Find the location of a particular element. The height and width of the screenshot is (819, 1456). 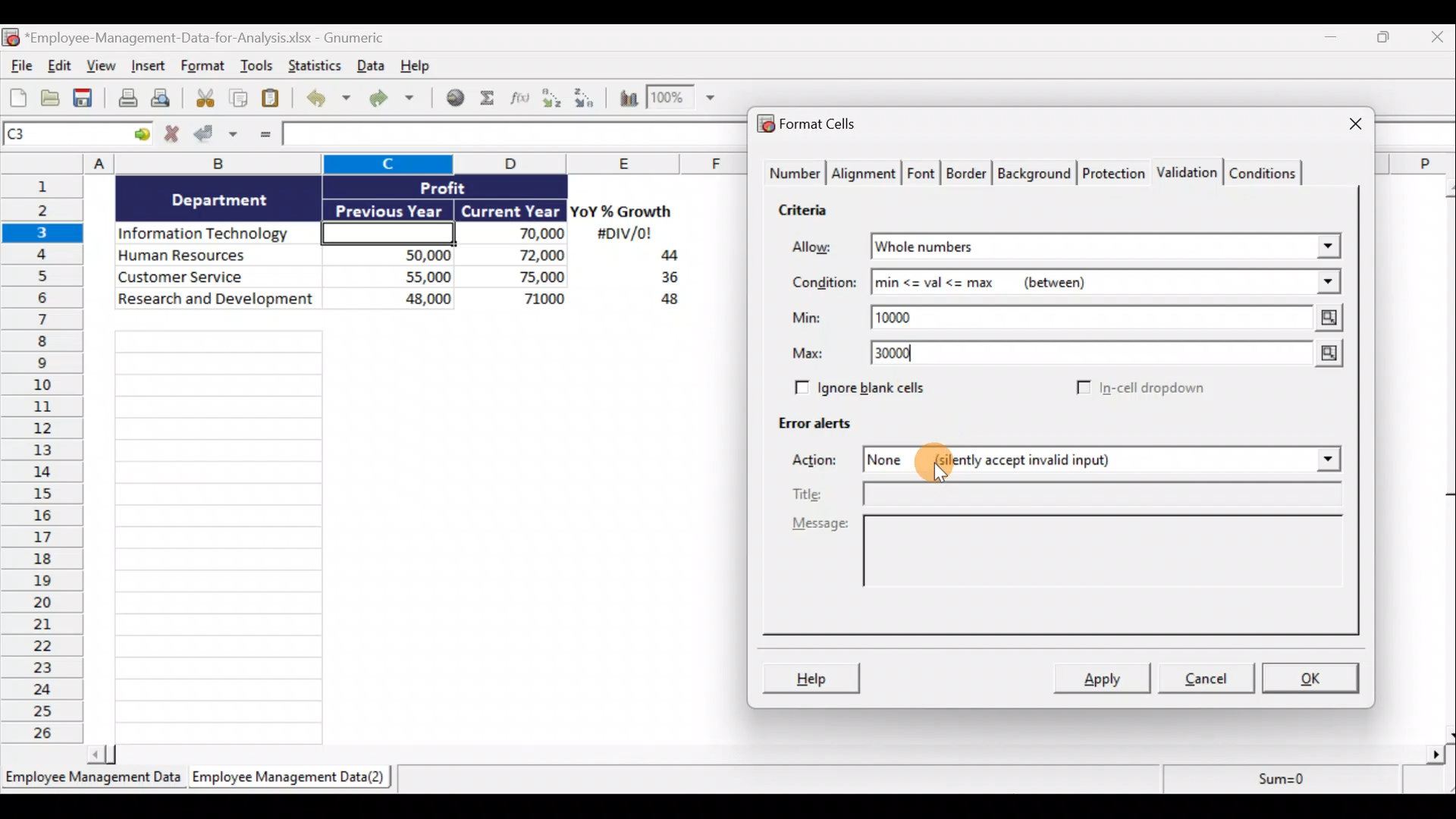

44 is located at coordinates (661, 257).